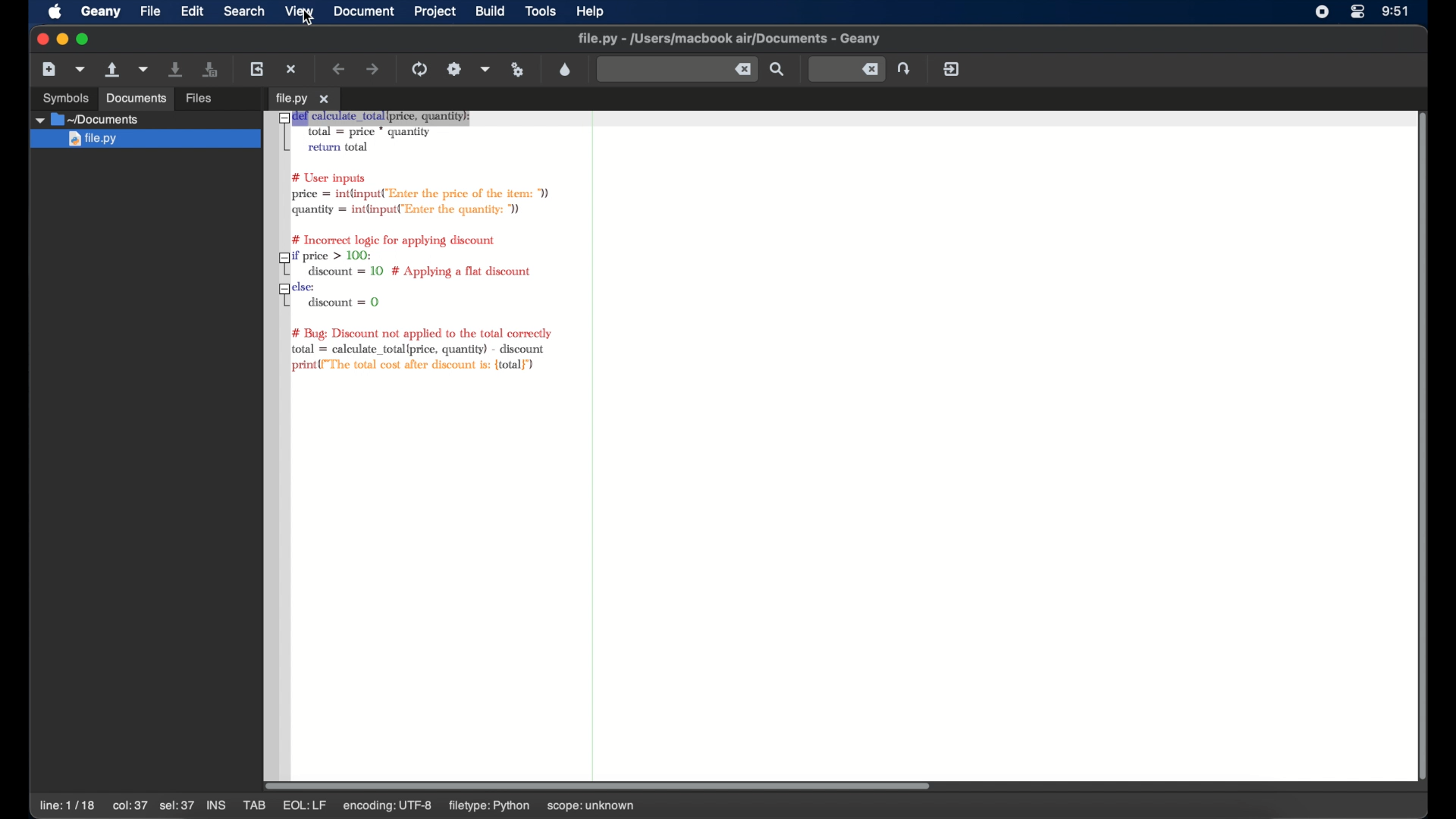 The width and height of the screenshot is (1456, 819). What do you see at coordinates (65, 99) in the screenshot?
I see `symbols` at bounding box center [65, 99].